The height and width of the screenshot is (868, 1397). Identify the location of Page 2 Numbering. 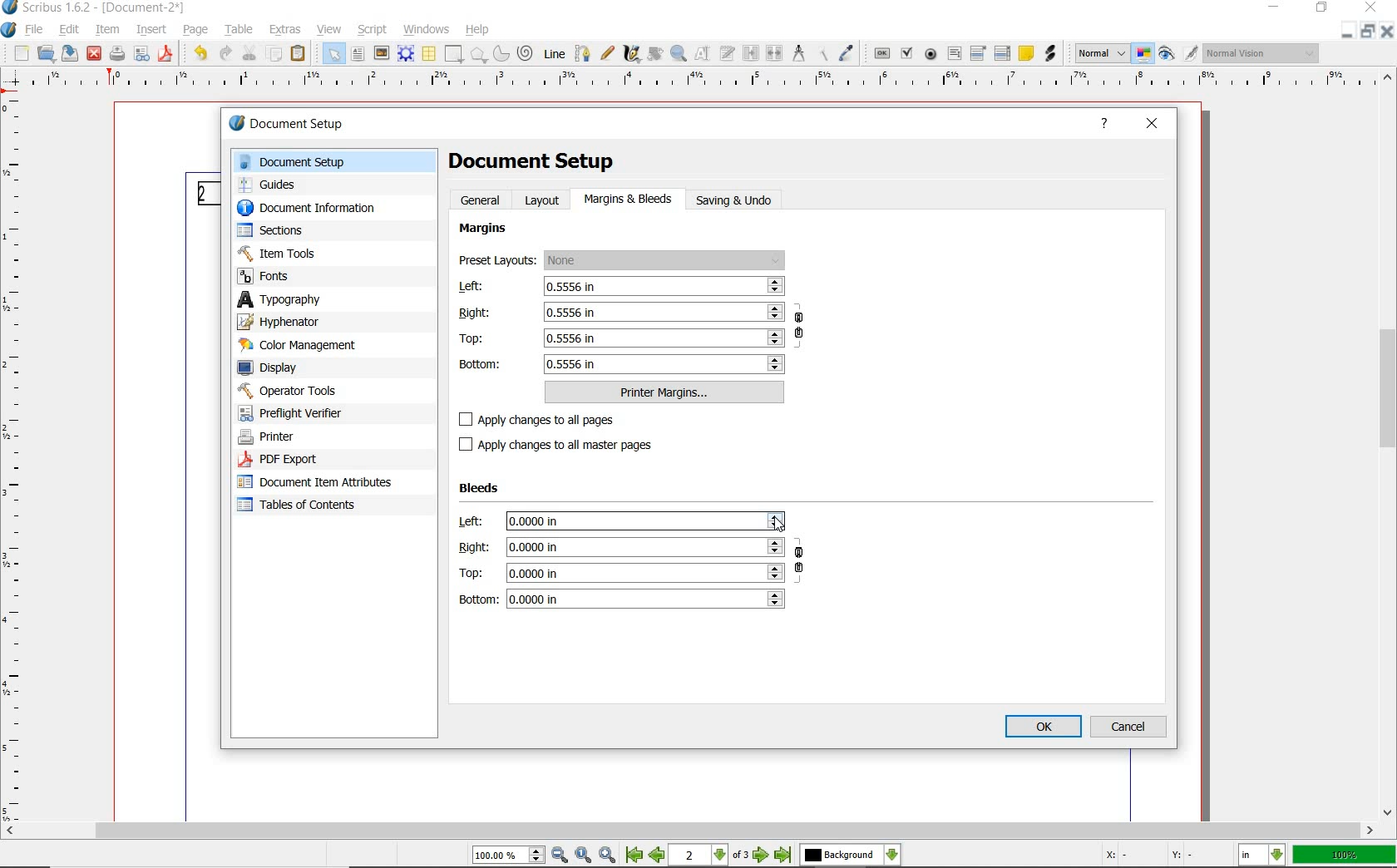
(206, 194).